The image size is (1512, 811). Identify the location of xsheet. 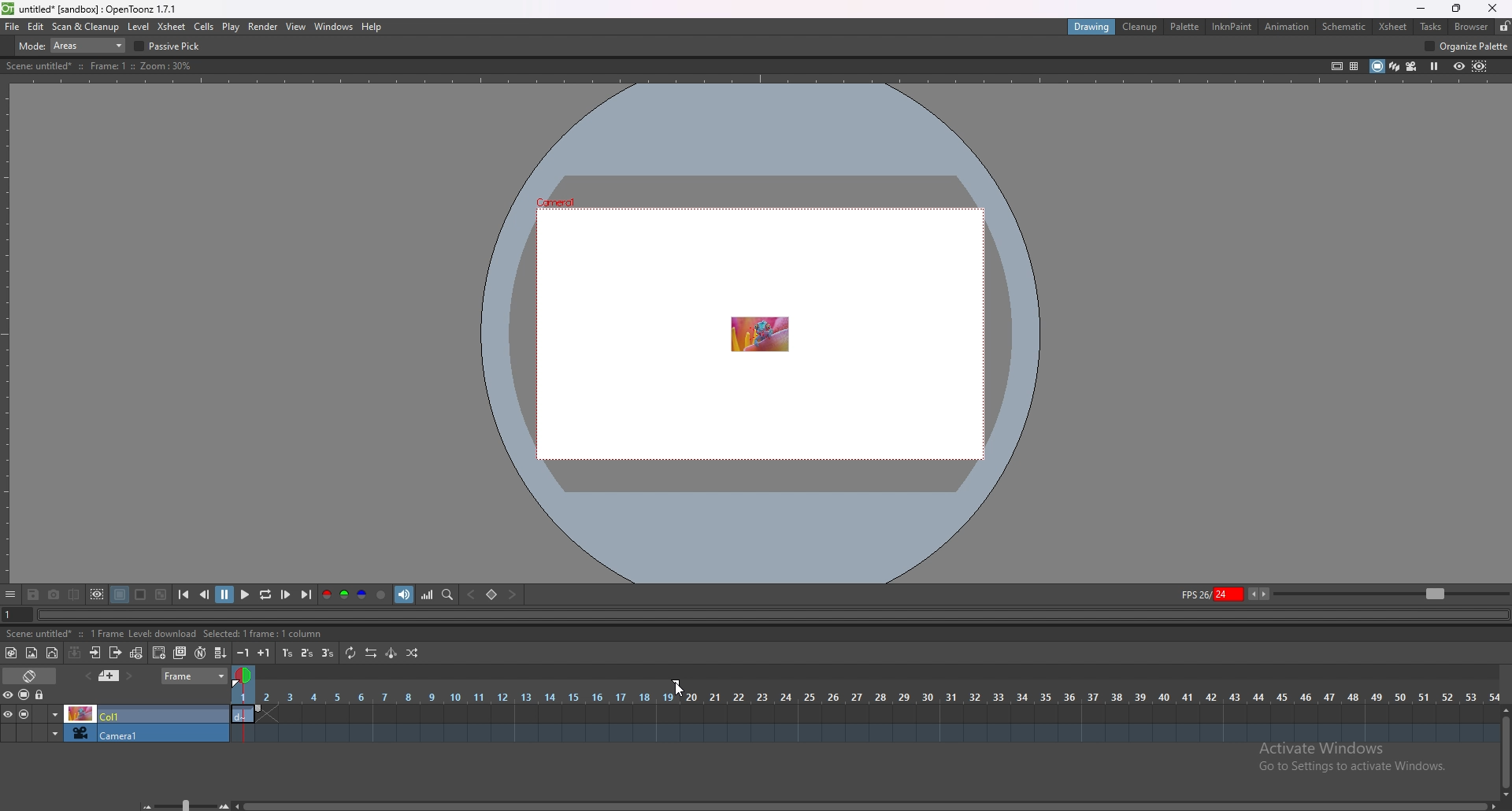
(173, 28).